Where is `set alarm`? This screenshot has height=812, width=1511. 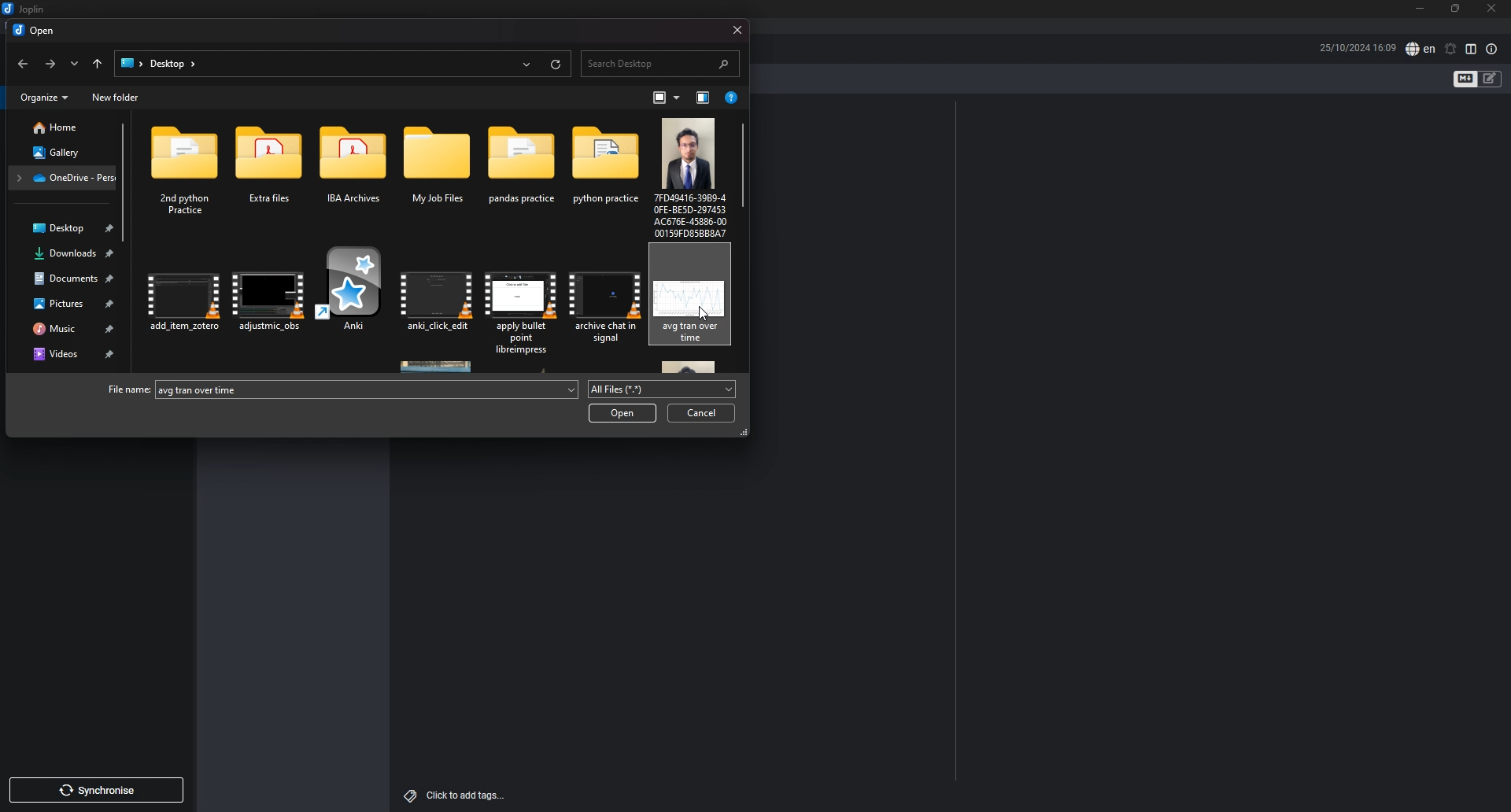 set alarm is located at coordinates (1451, 49).